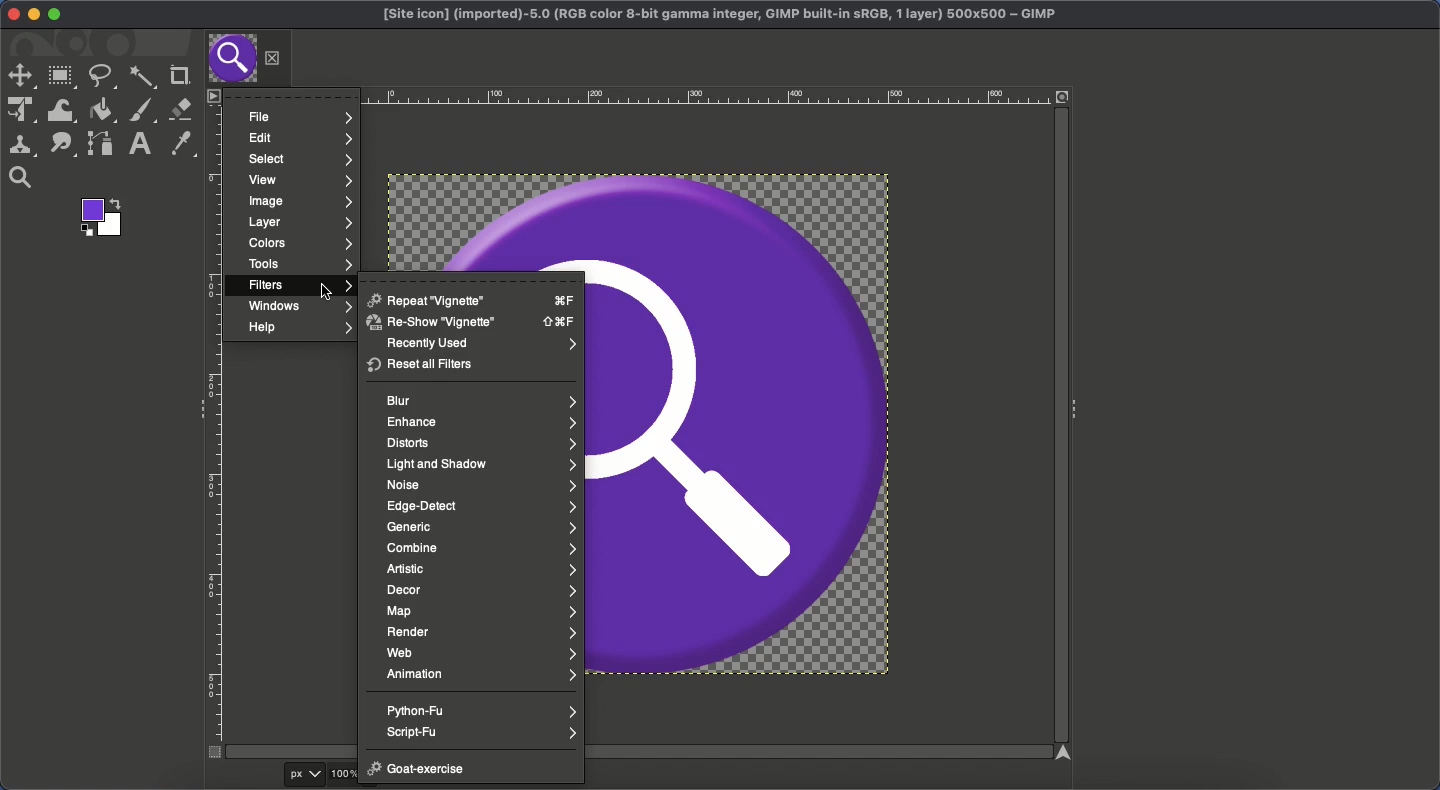  Describe the element at coordinates (478, 423) in the screenshot. I see `Enhance` at that location.